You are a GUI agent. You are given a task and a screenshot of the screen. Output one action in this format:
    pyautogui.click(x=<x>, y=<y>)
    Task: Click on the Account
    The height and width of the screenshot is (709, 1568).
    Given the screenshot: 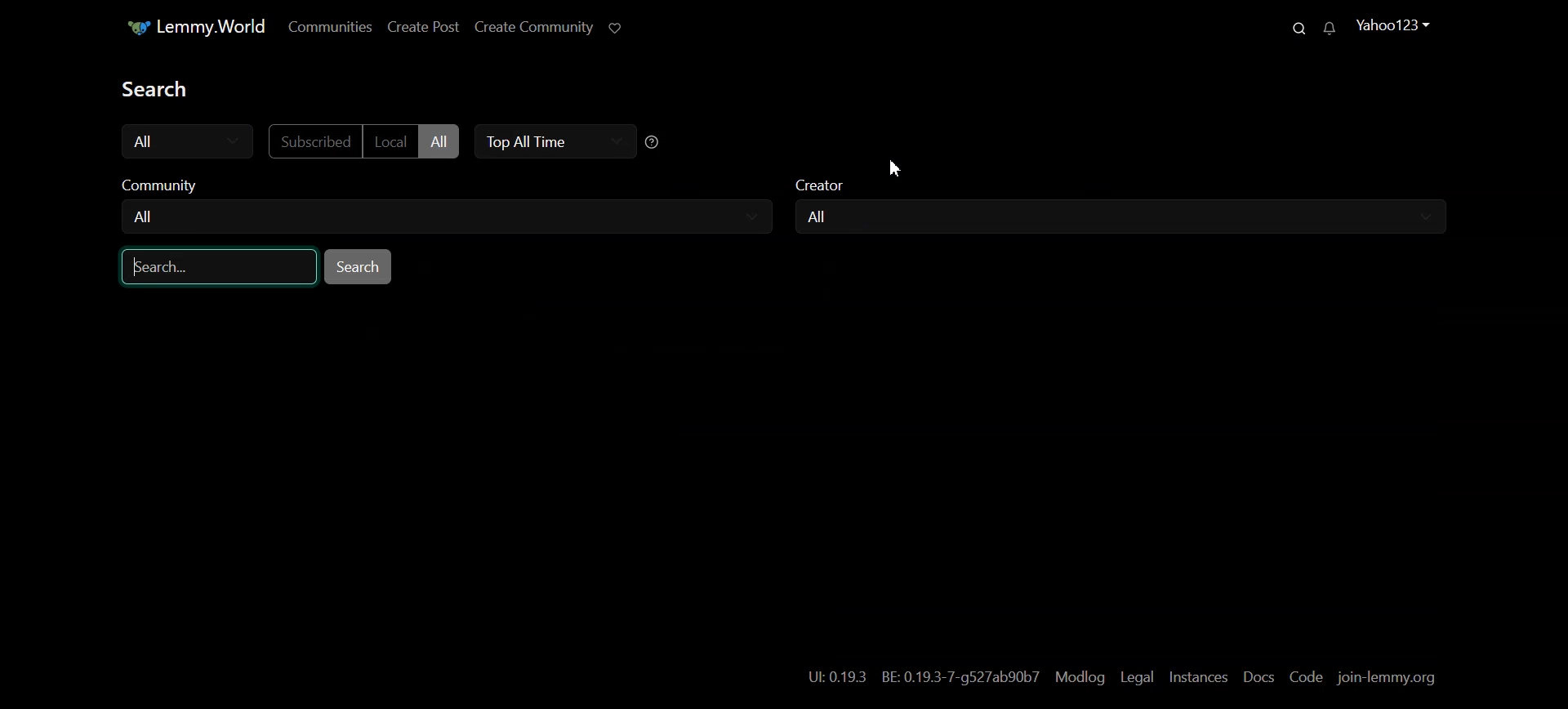 What is the action you would take?
    pyautogui.click(x=1392, y=26)
    